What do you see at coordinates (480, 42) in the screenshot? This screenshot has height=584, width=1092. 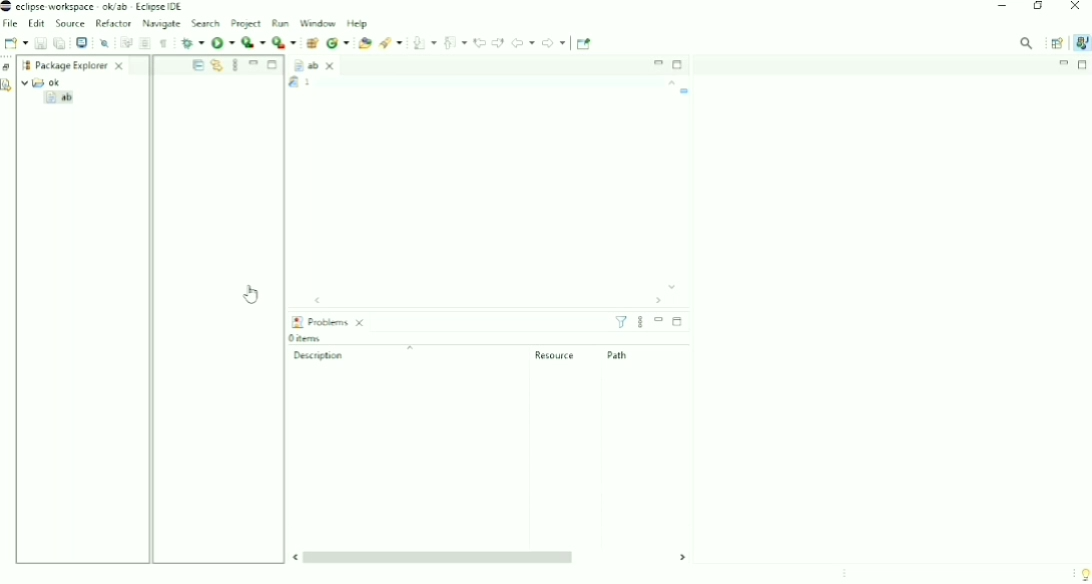 I see `Previous Edit Location` at bounding box center [480, 42].